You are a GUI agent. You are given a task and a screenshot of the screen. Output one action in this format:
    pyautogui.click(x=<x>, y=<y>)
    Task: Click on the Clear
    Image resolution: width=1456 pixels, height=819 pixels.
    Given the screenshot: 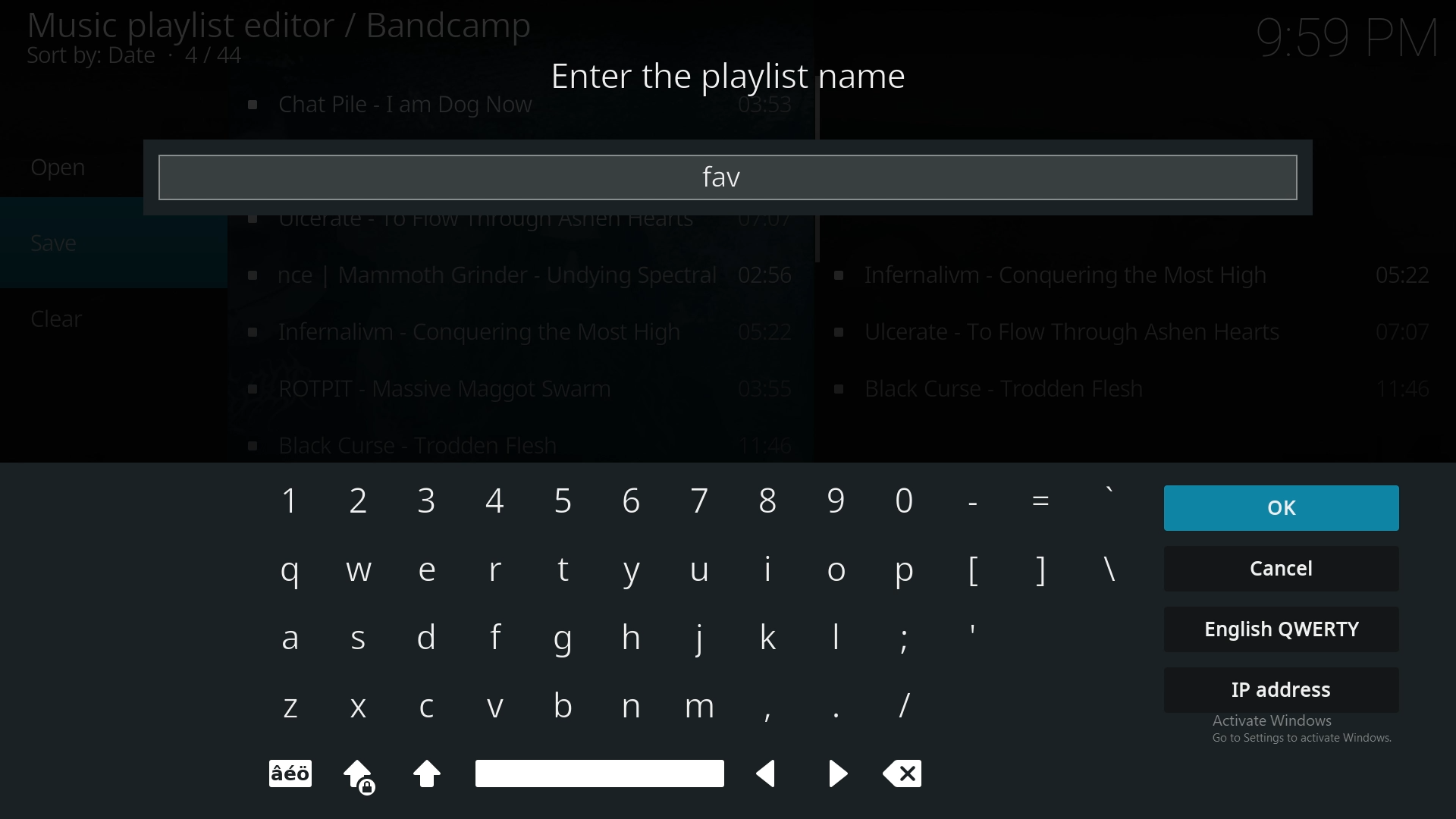 What is the action you would take?
    pyautogui.click(x=908, y=777)
    